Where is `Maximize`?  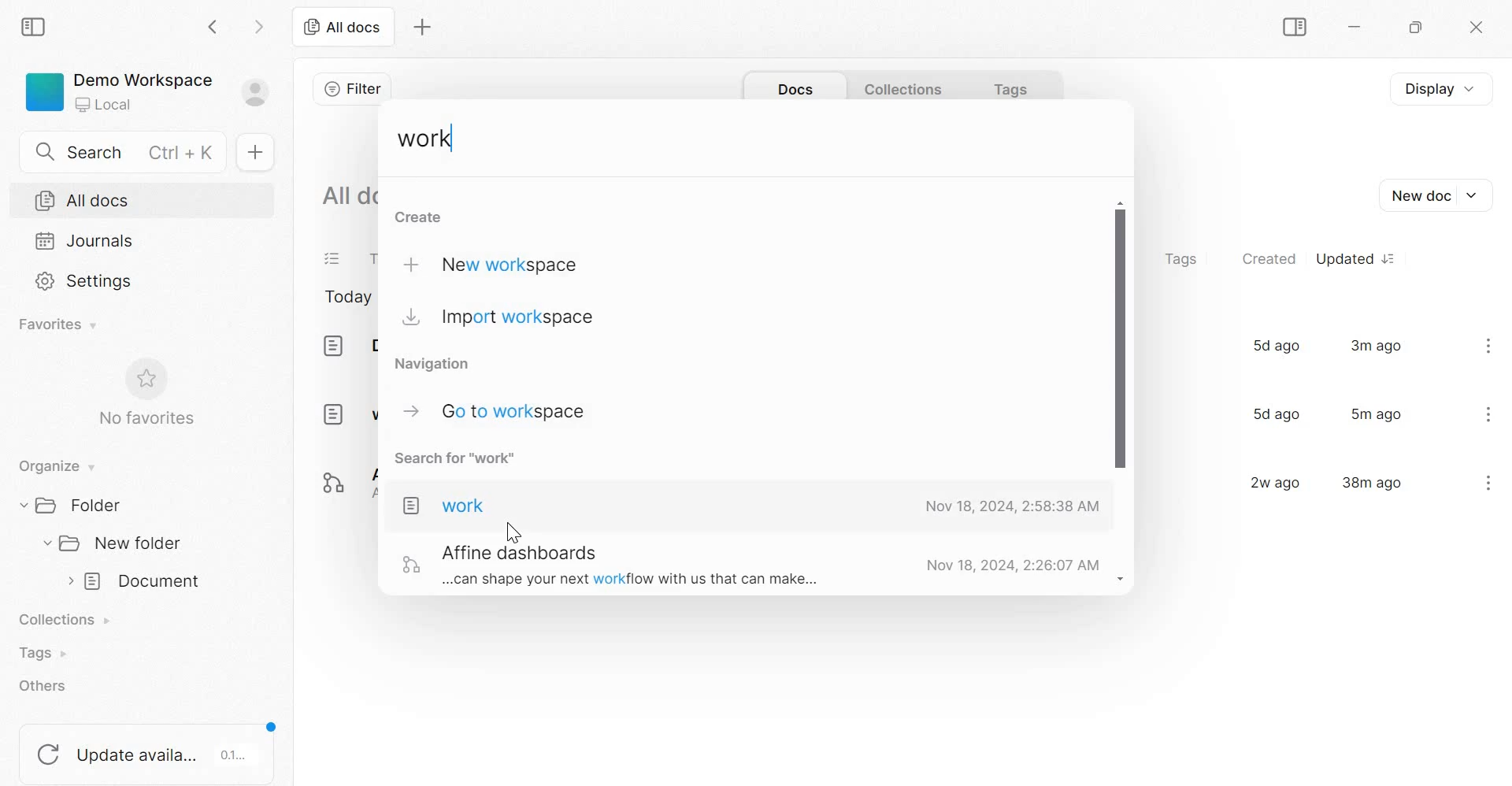
Maximize is located at coordinates (1420, 30).